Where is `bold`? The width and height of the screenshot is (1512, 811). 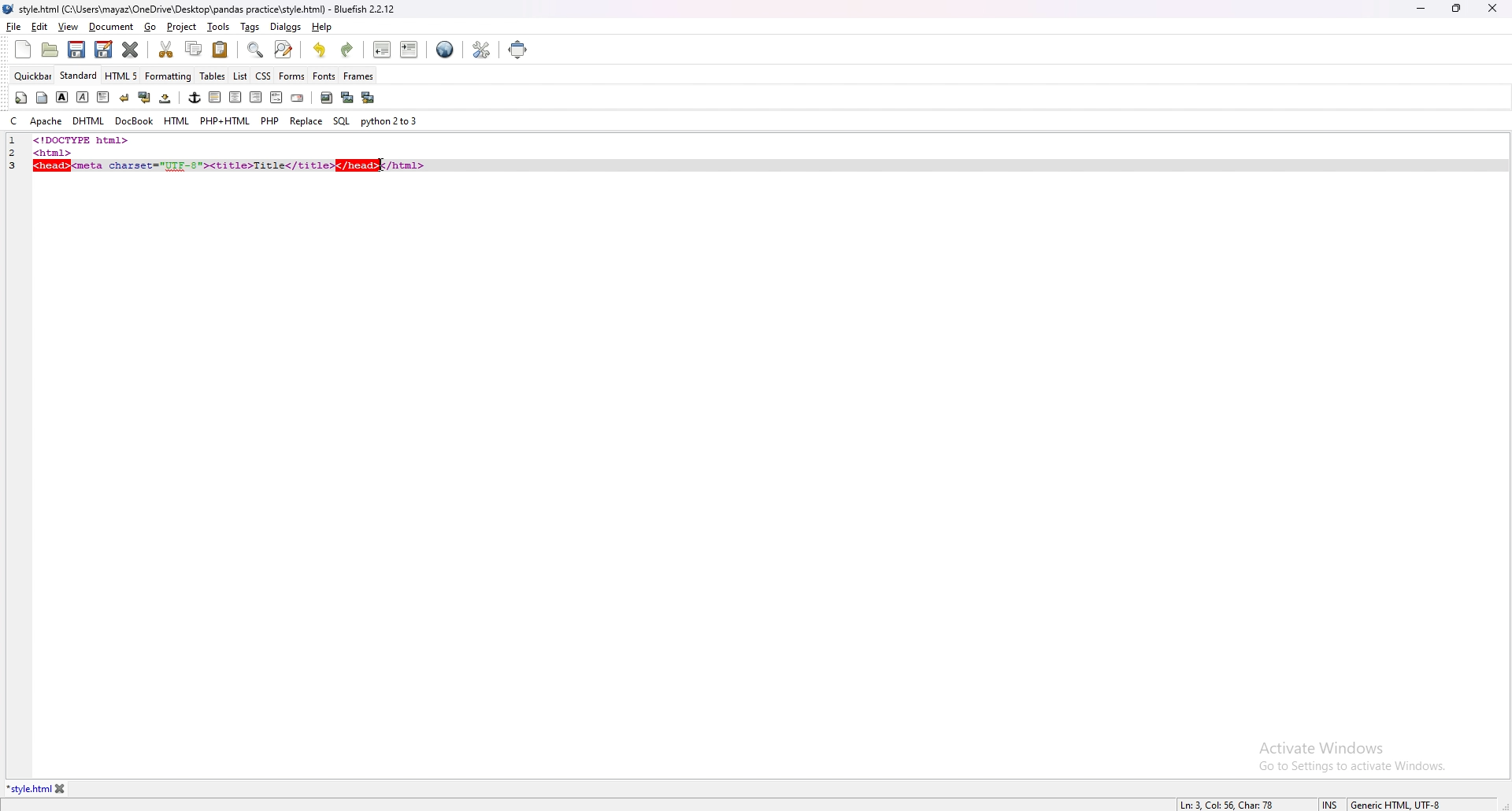
bold is located at coordinates (62, 97).